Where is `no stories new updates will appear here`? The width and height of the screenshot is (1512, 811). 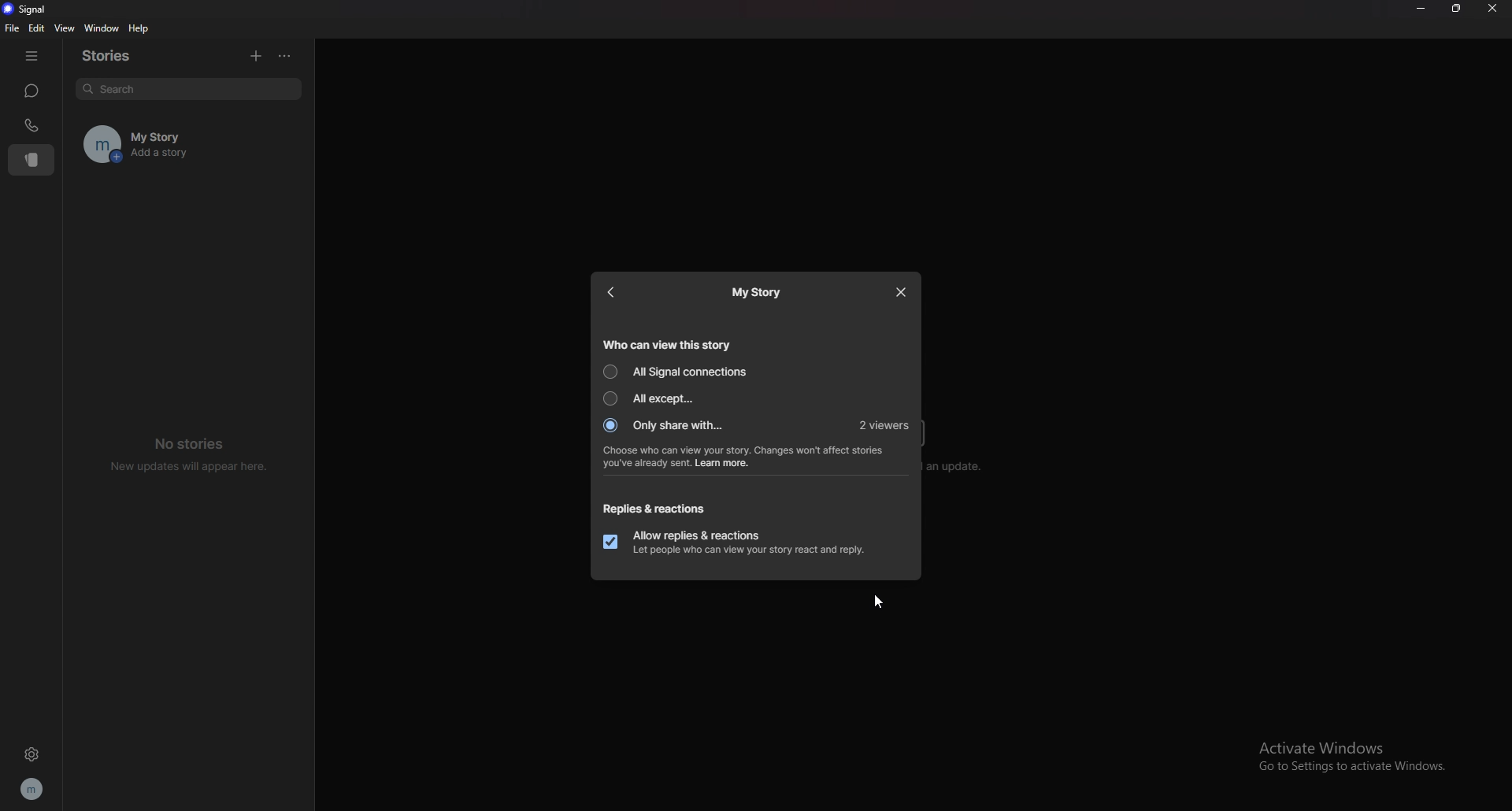
no stories new updates will appear here is located at coordinates (186, 455).